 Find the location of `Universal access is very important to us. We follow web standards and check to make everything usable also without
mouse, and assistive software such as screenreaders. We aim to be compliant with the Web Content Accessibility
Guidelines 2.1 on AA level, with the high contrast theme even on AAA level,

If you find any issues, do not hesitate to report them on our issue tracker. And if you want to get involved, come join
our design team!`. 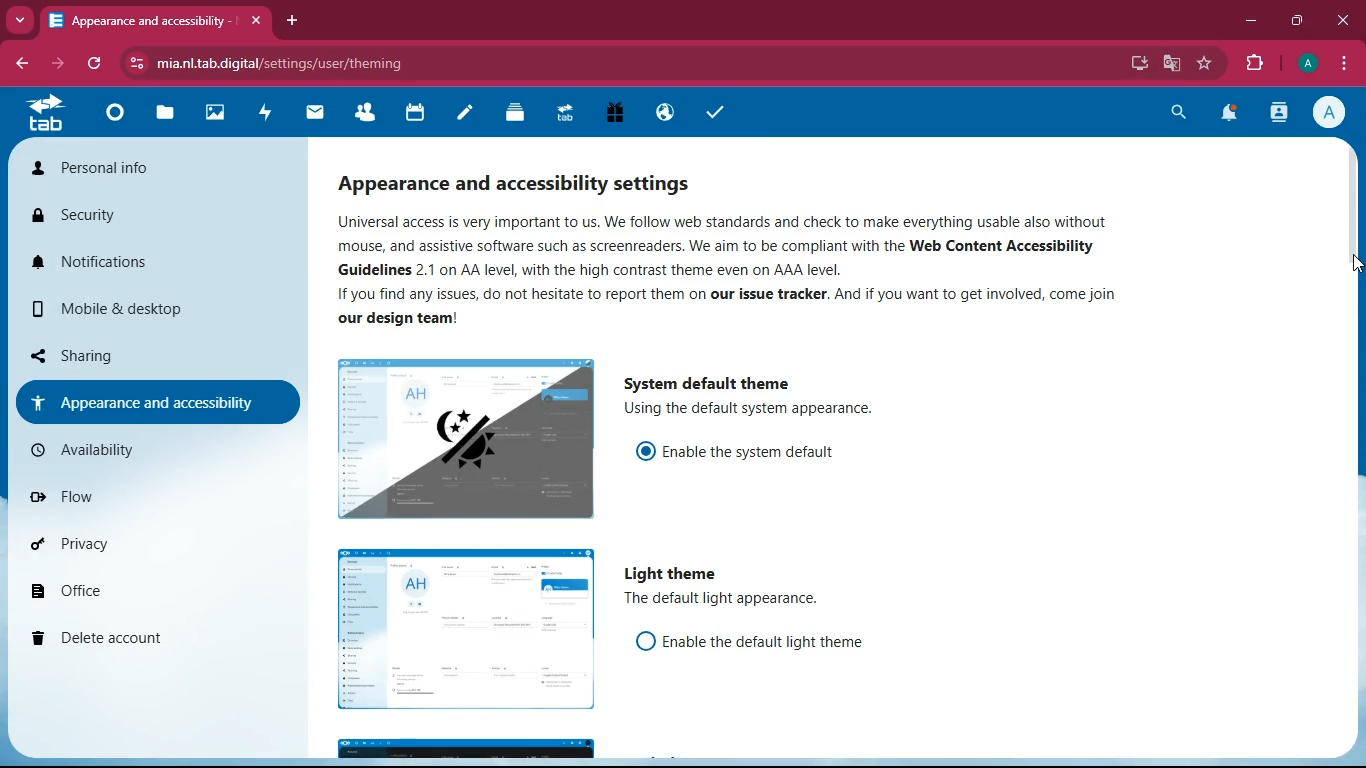

Universal access is very important to us. We follow web standards and check to make everything usable also without
mouse, and assistive software such as screenreaders. We aim to be compliant with the Web Content Accessibility
Guidelines 2.1 on AA level, with the high contrast theme even on AAA level,

If you find any issues, do not hesitate to report them on our issue tracker. And if you want to get involved, come join
our design team! is located at coordinates (726, 271).